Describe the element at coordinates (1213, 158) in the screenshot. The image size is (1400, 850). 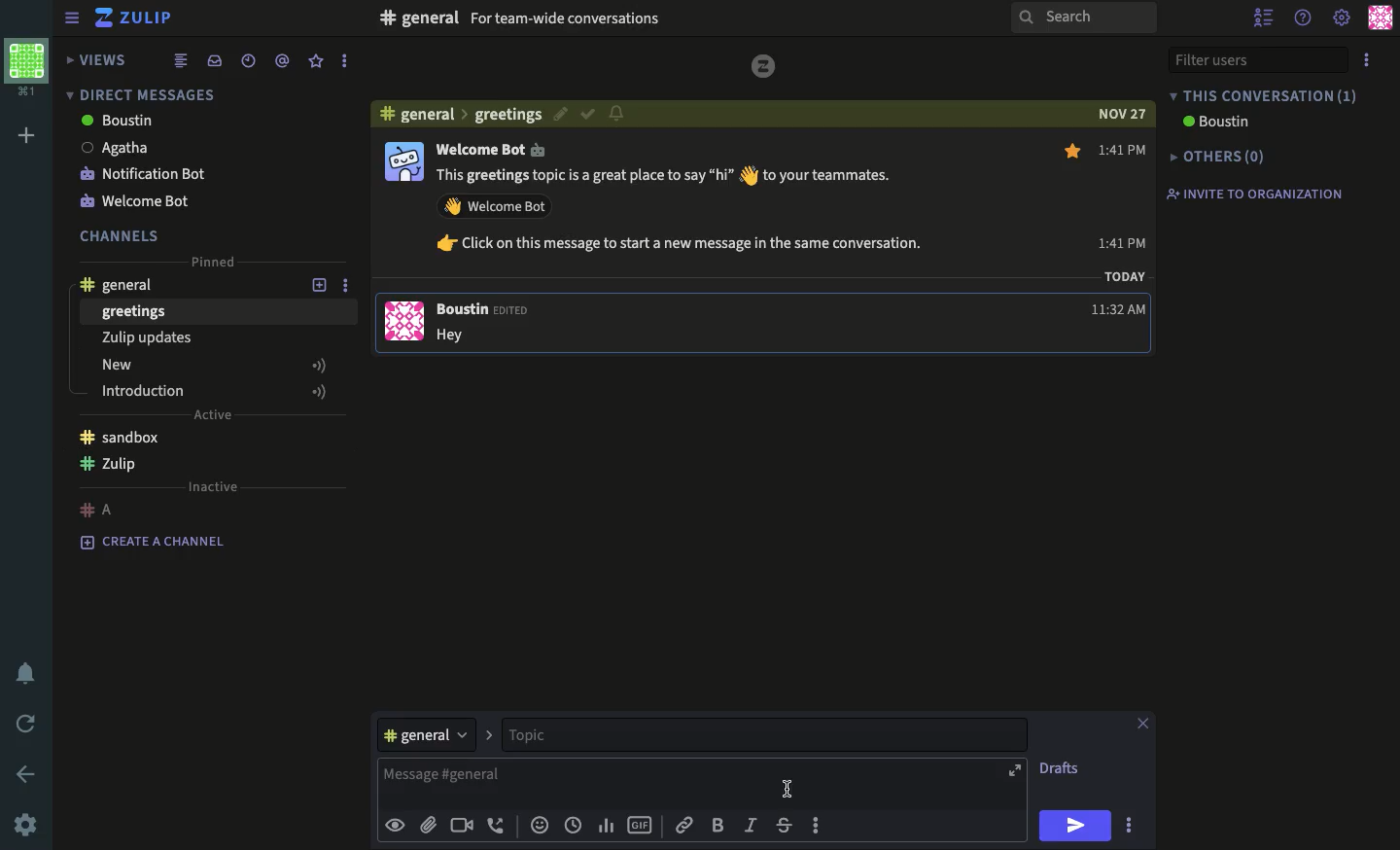
I see `others(0)` at that location.